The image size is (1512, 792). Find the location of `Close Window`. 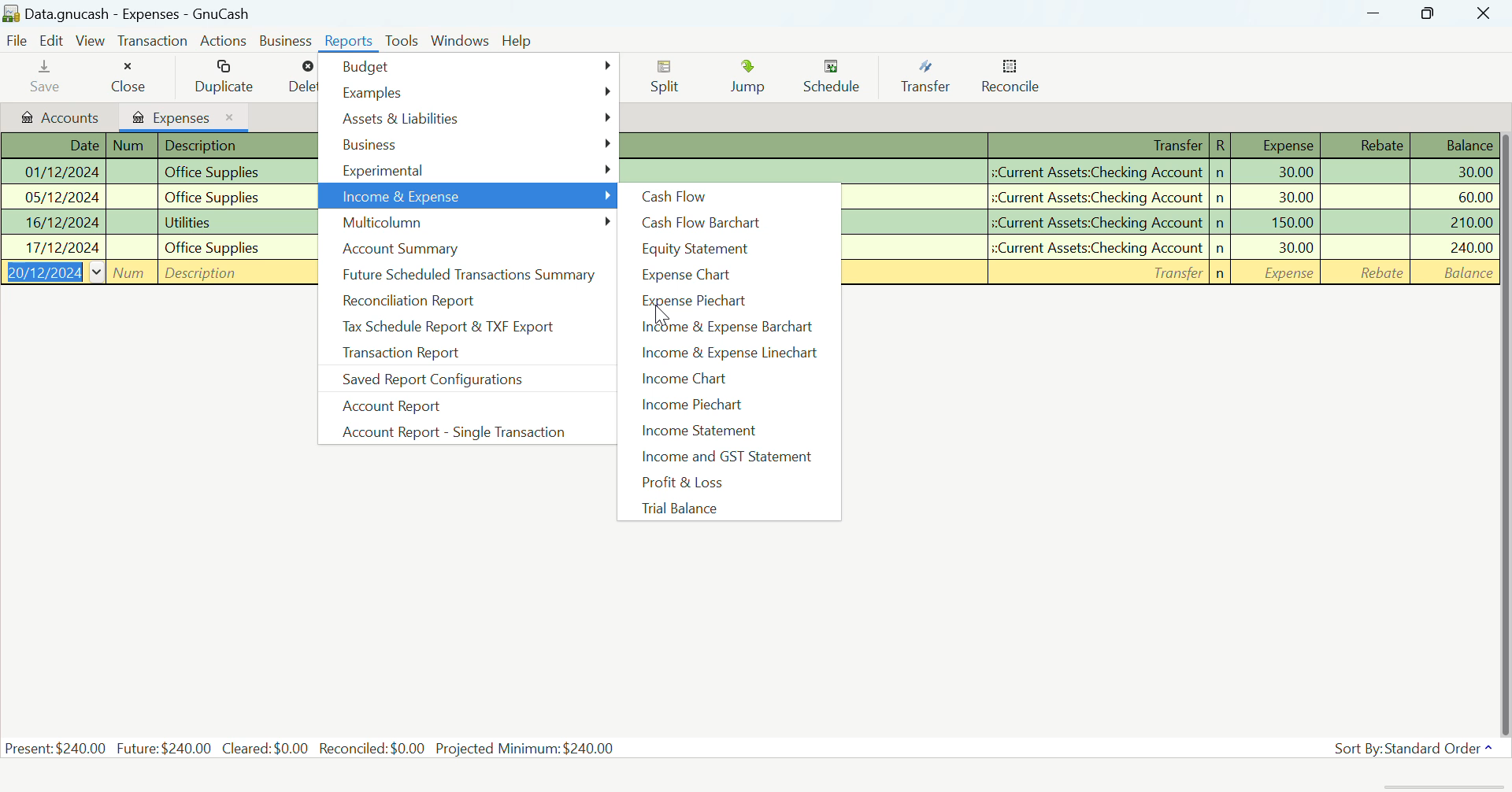

Close Window is located at coordinates (1485, 13).